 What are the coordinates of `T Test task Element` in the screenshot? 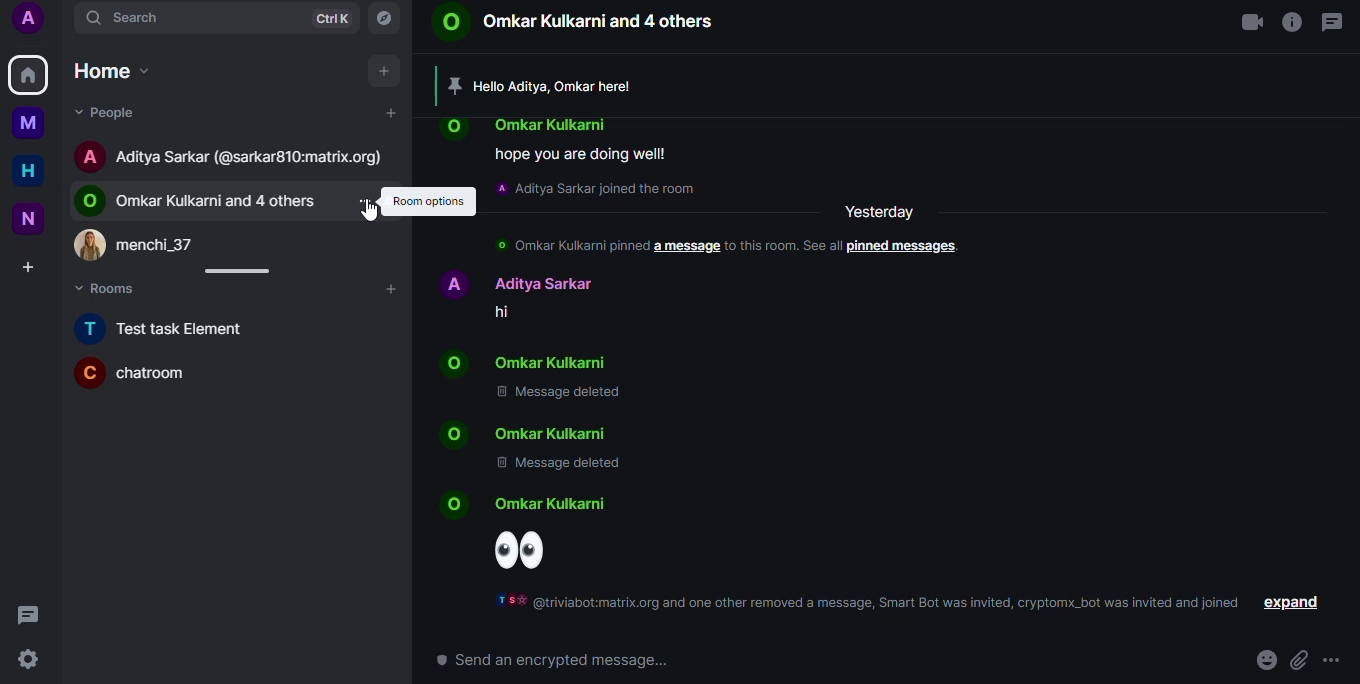 It's located at (167, 329).